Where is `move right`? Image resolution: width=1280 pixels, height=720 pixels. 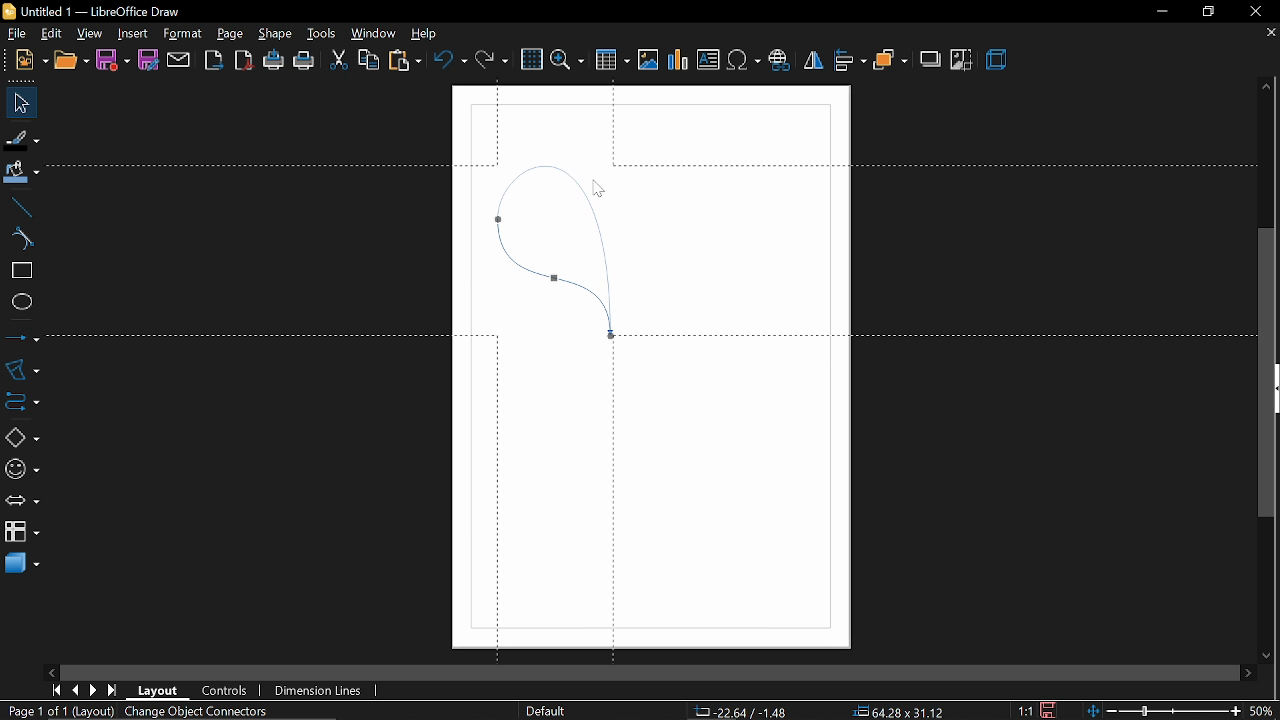 move right is located at coordinates (1248, 671).